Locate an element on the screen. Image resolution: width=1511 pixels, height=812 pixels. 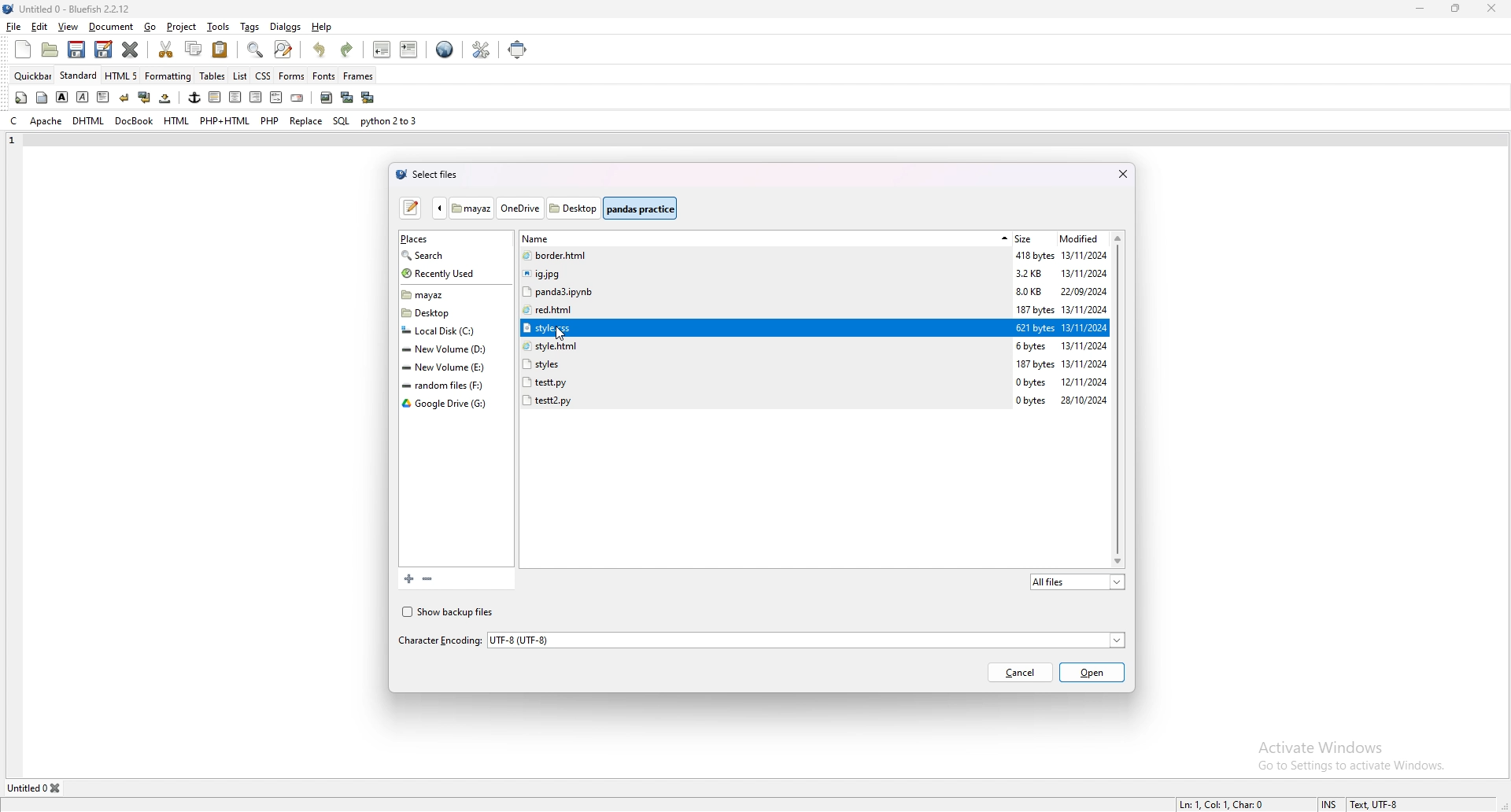
open is located at coordinates (1092, 674).